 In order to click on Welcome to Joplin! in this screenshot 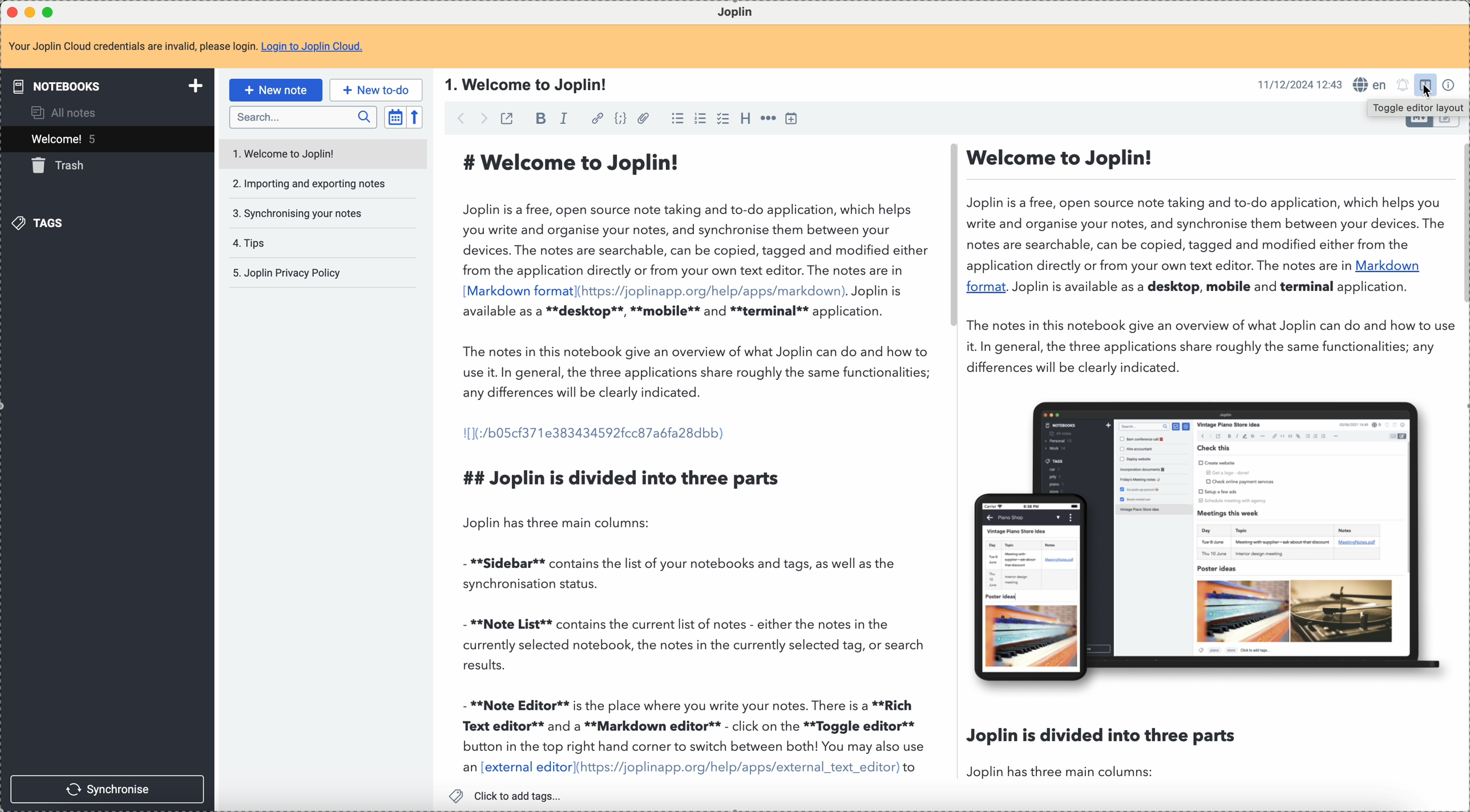, I will do `click(1064, 157)`.